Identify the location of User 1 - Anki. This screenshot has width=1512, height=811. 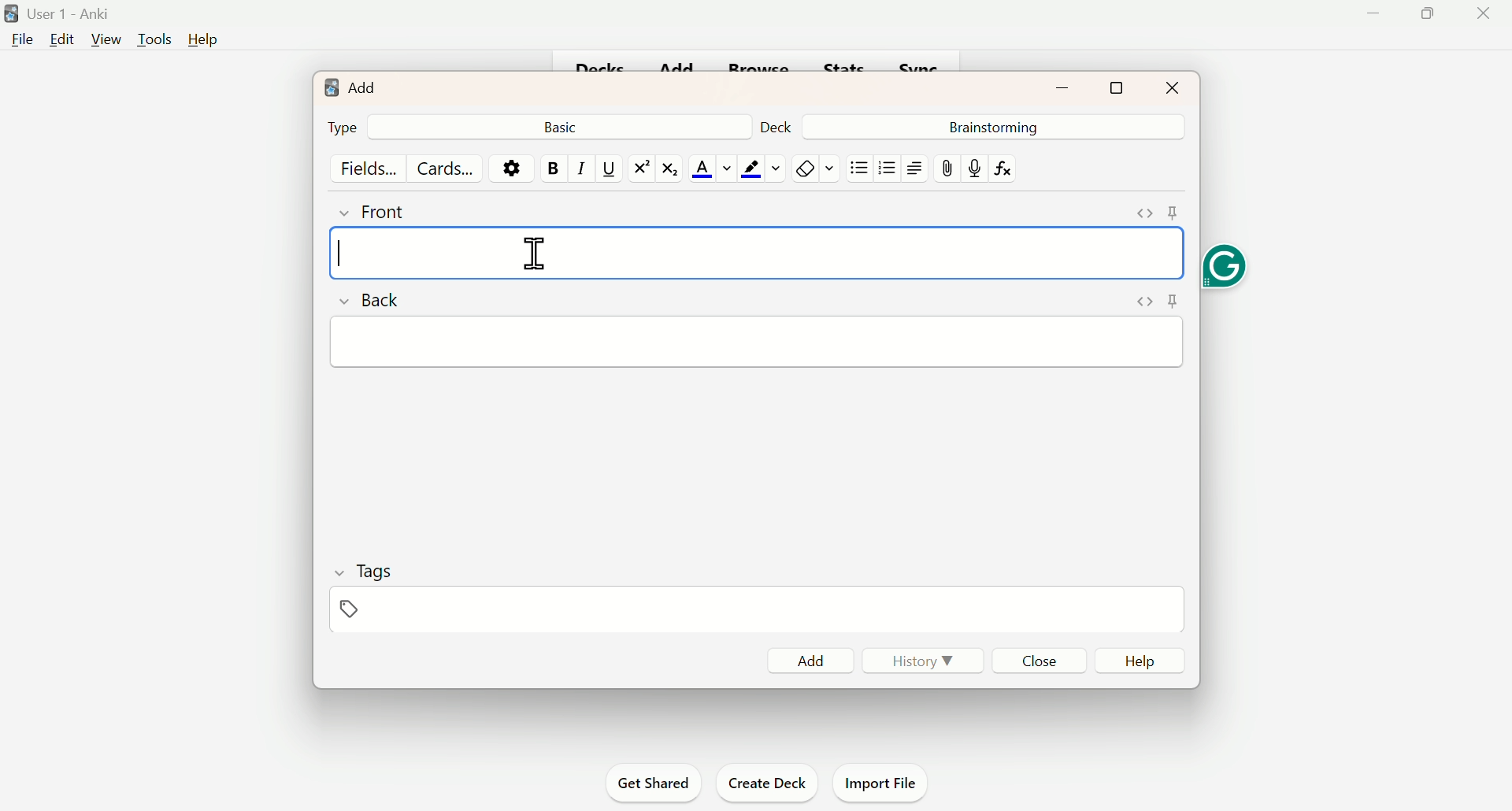
(61, 14).